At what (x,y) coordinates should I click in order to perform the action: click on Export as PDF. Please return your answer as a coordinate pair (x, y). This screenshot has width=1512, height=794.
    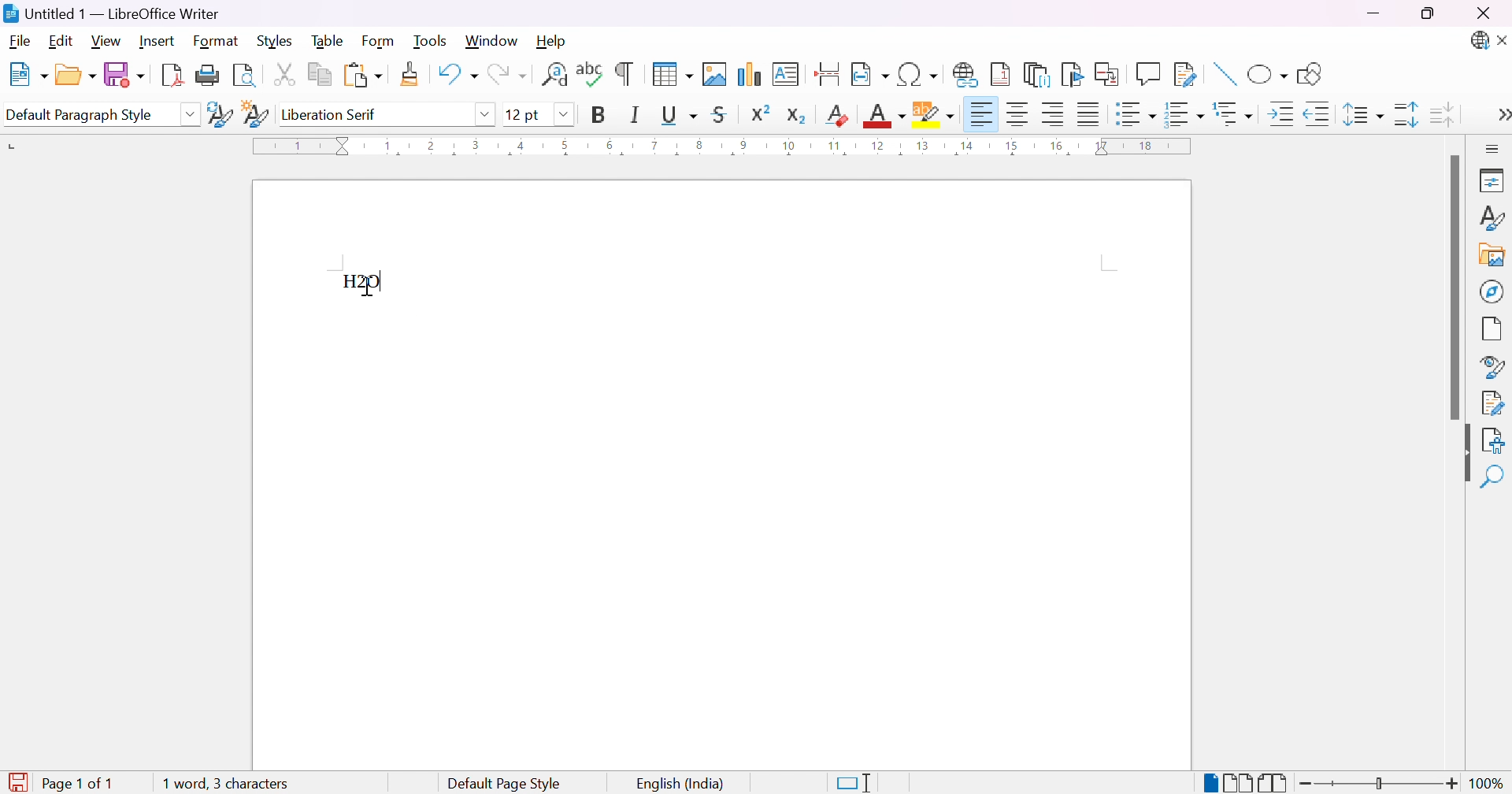
    Looking at the image, I should click on (171, 74).